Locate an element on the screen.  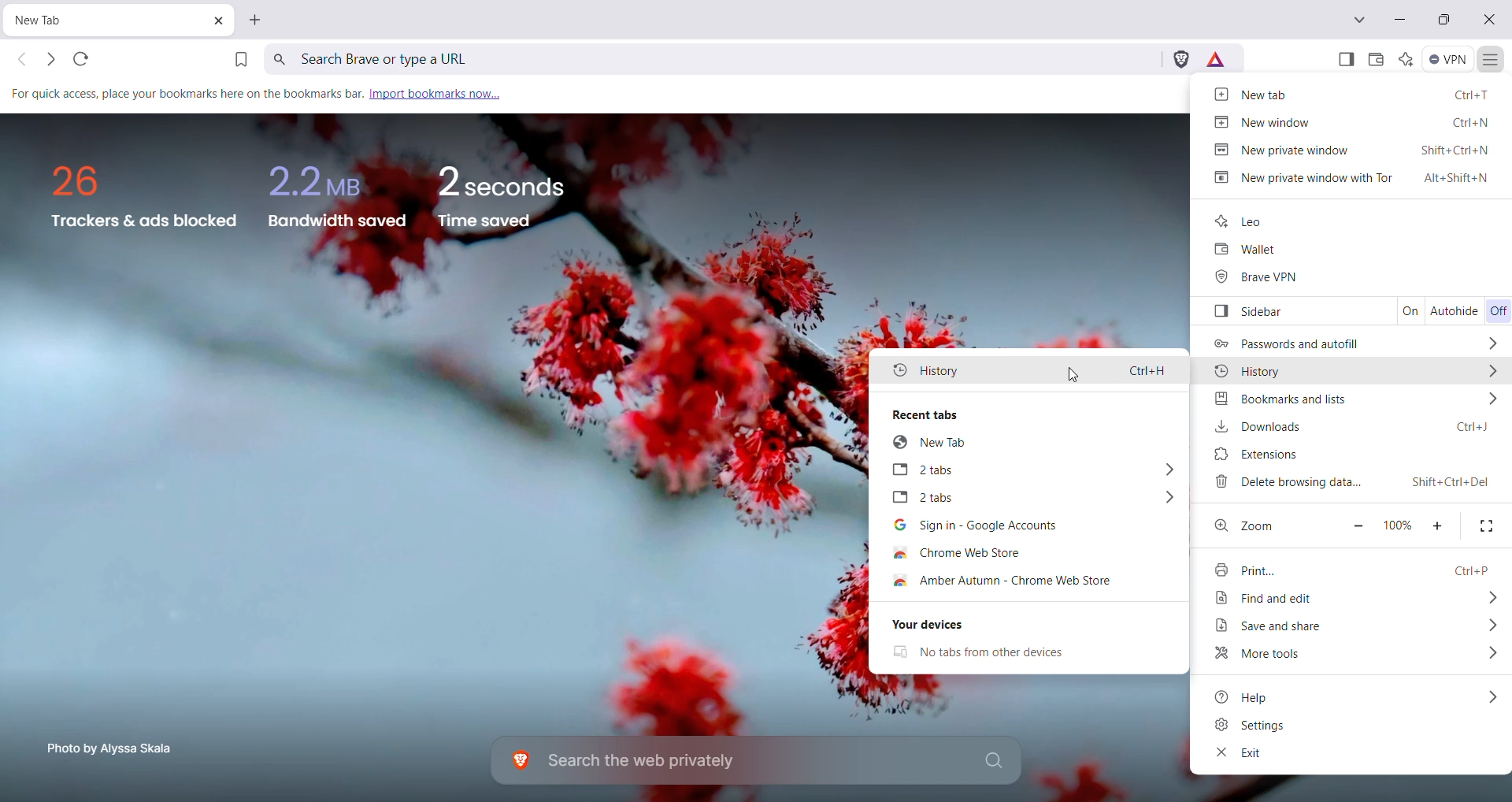
Search the web privately is located at coordinates (760, 761).